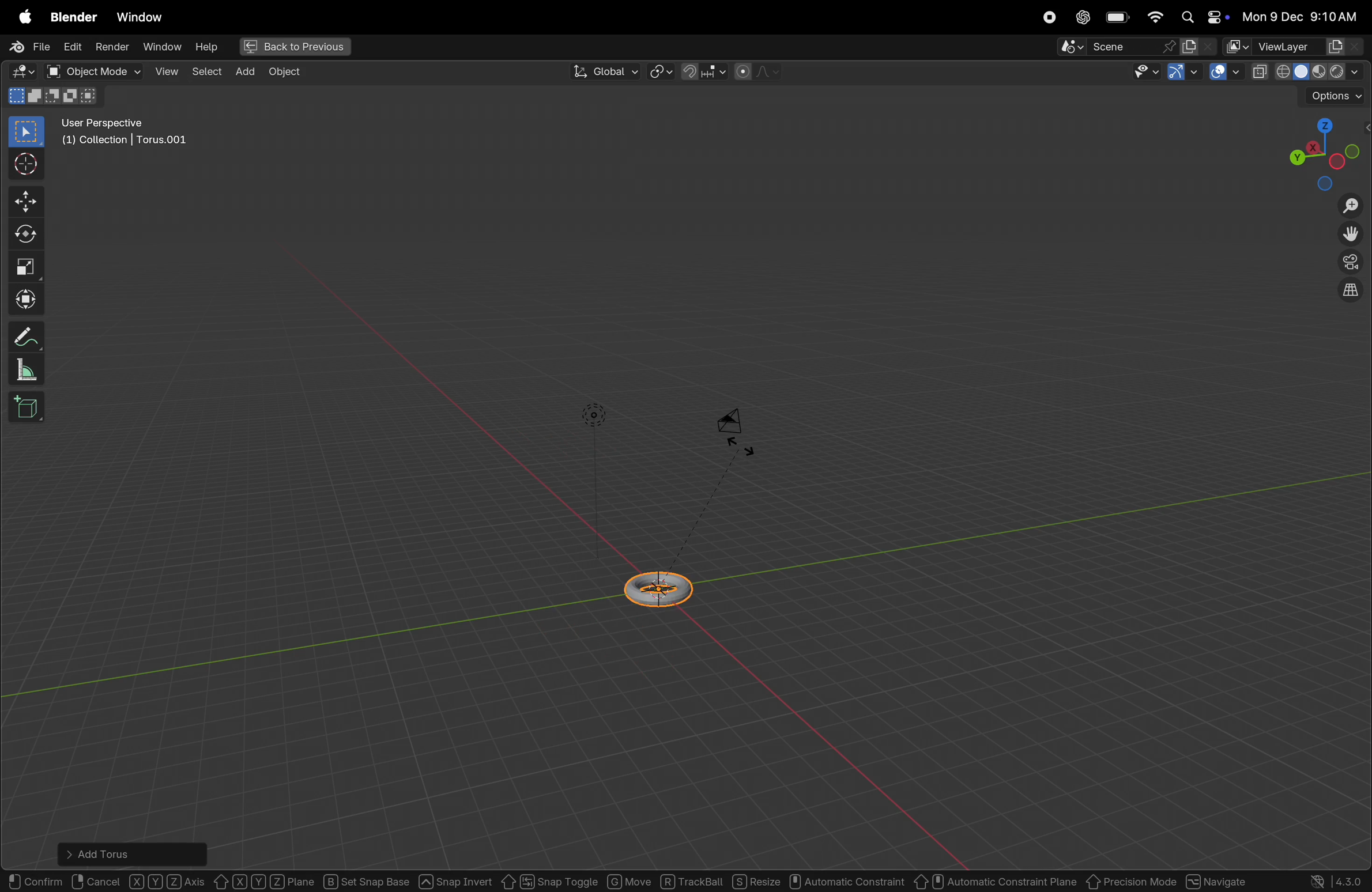 The image size is (1372, 892). Describe the element at coordinates (738, 429) in the screenshot. I see `camera` at that location.